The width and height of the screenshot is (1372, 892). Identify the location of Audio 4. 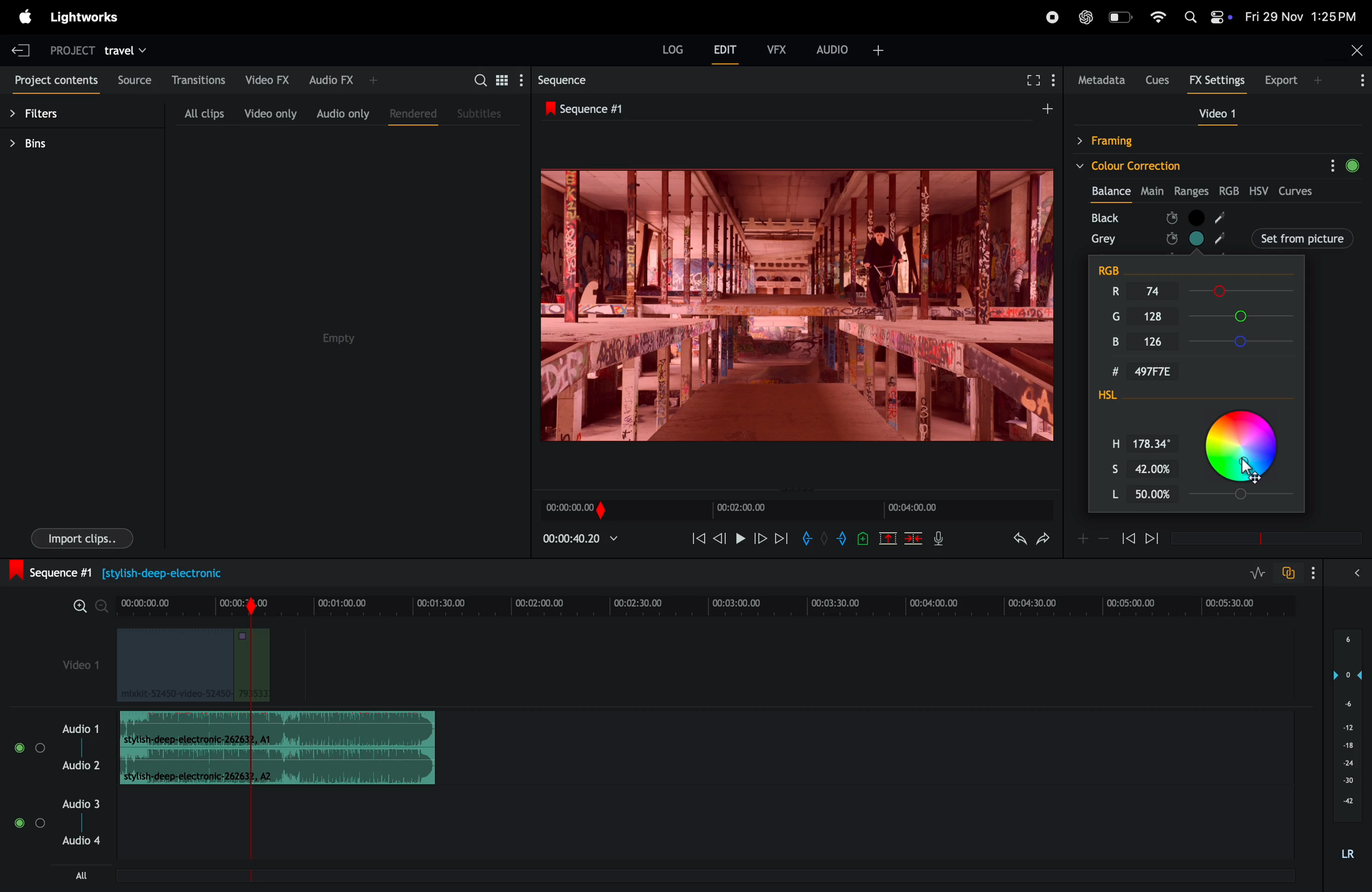
(83, 842).